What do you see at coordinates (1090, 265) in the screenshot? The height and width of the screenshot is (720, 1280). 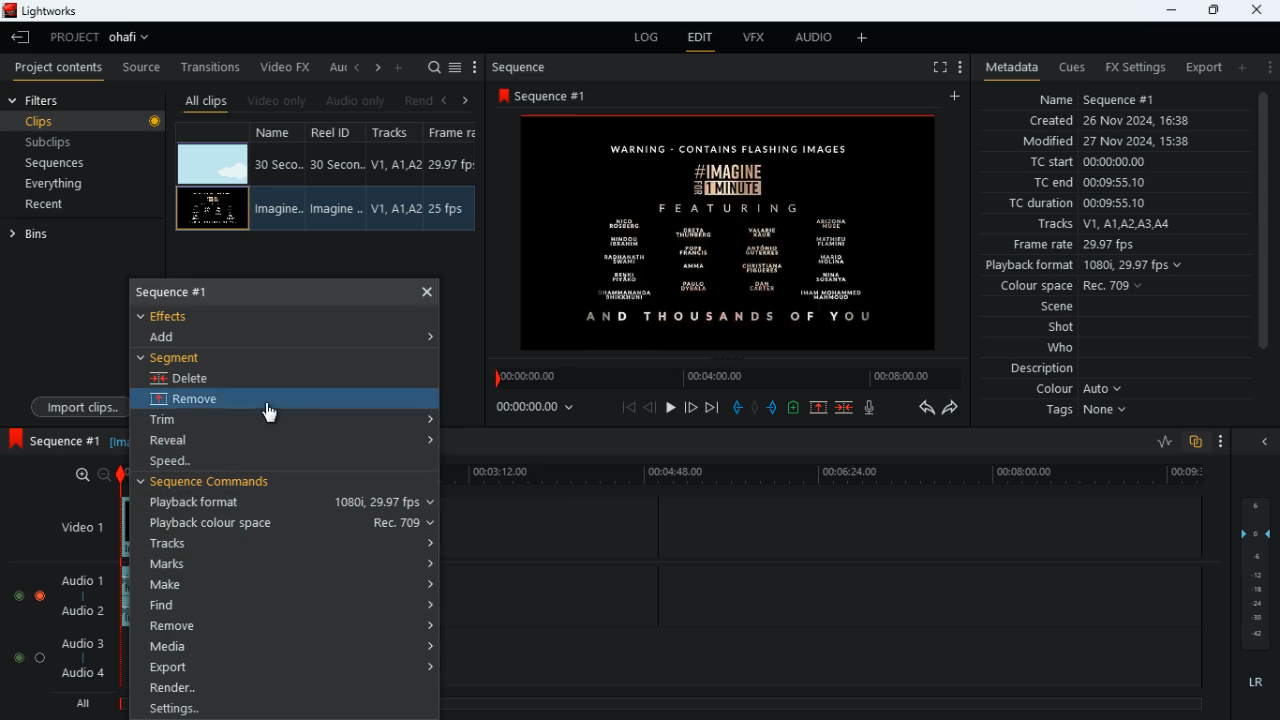 I see `playback format` at bounding box center [1090, 265].